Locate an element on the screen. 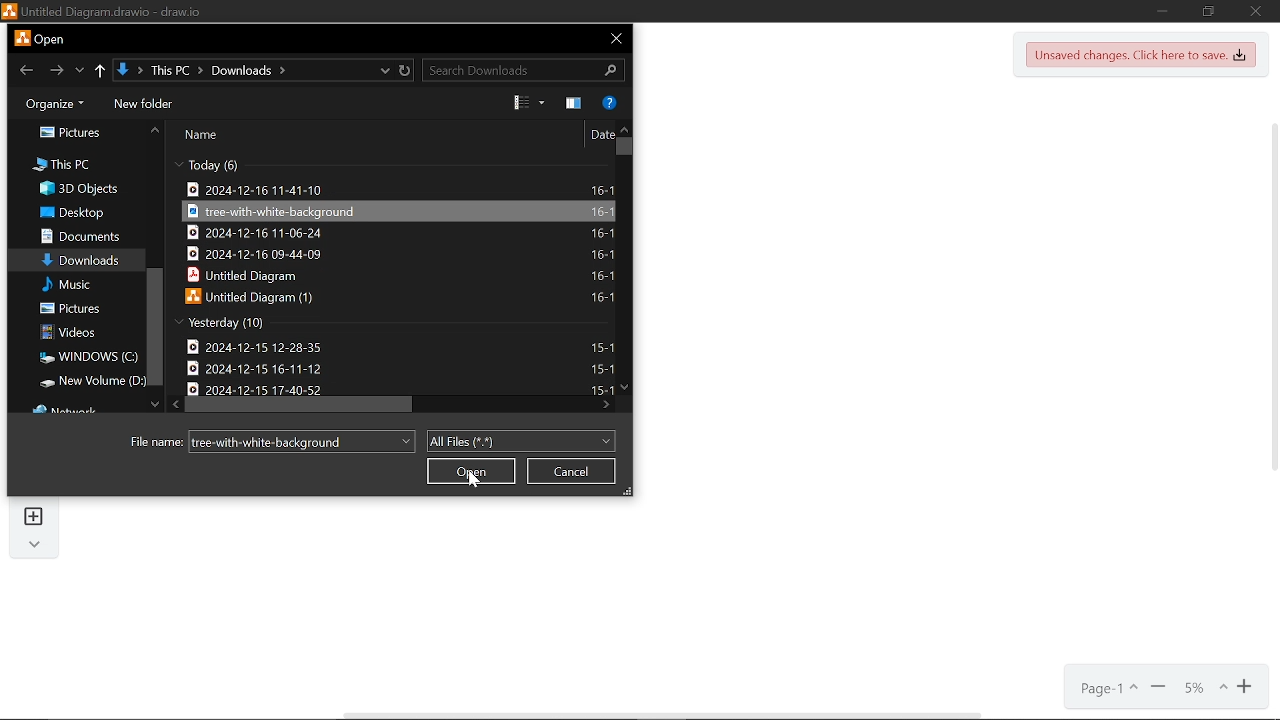 Image resolution: width=1280 pixels, height=720 pixels. cancel is located at coordinates (571, 472).